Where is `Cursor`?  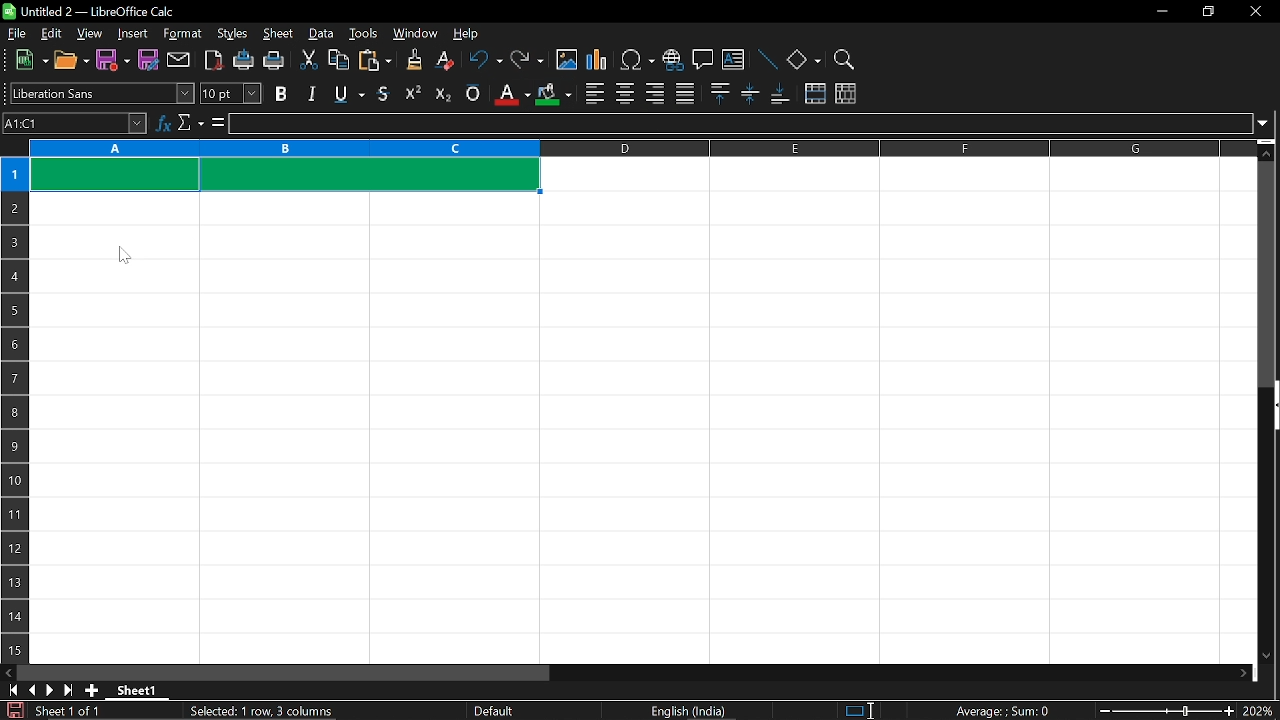
Cursor is located at coordinates (124, 257).